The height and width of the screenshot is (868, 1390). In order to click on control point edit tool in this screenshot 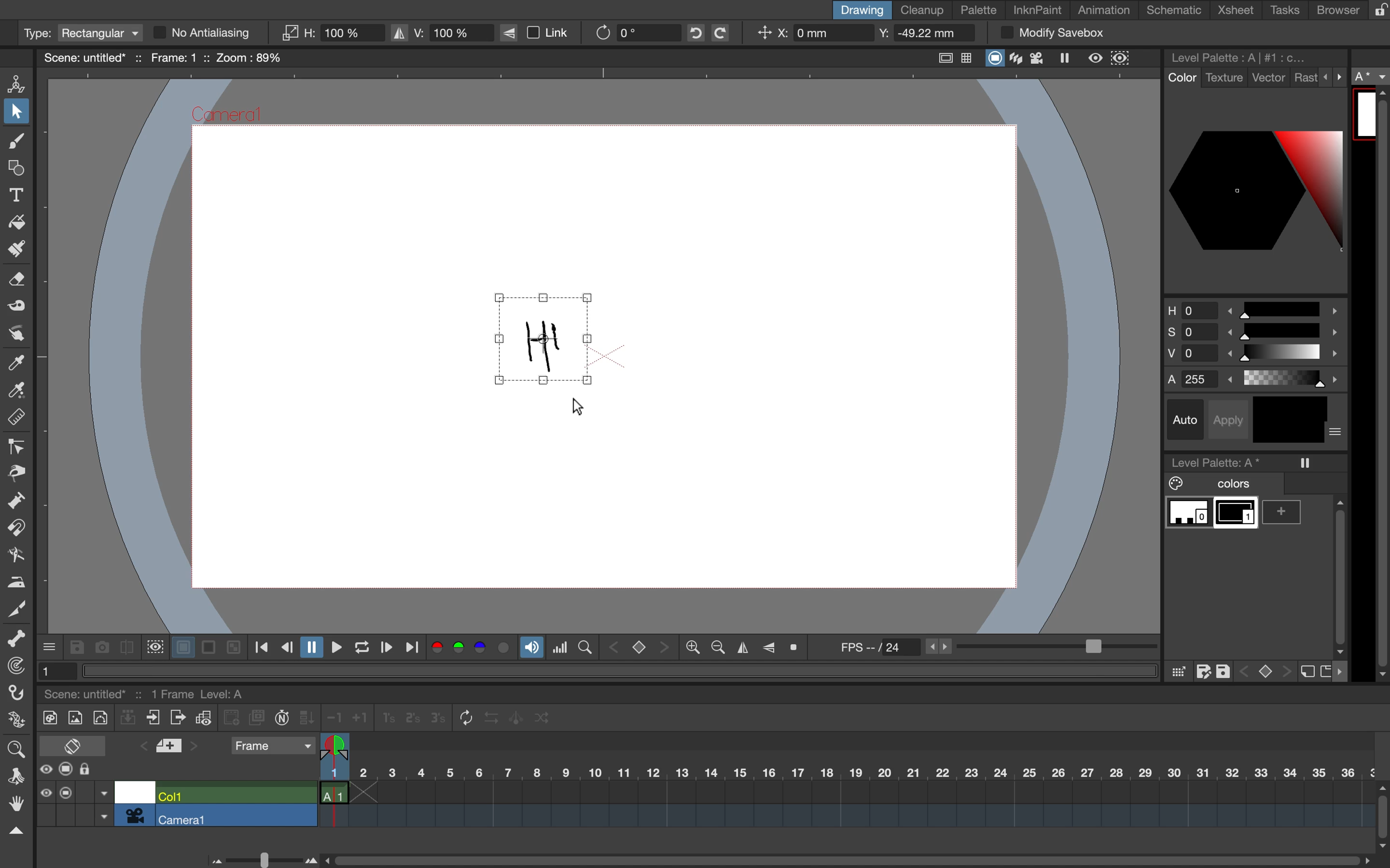, I will do `click(17, 447)`.